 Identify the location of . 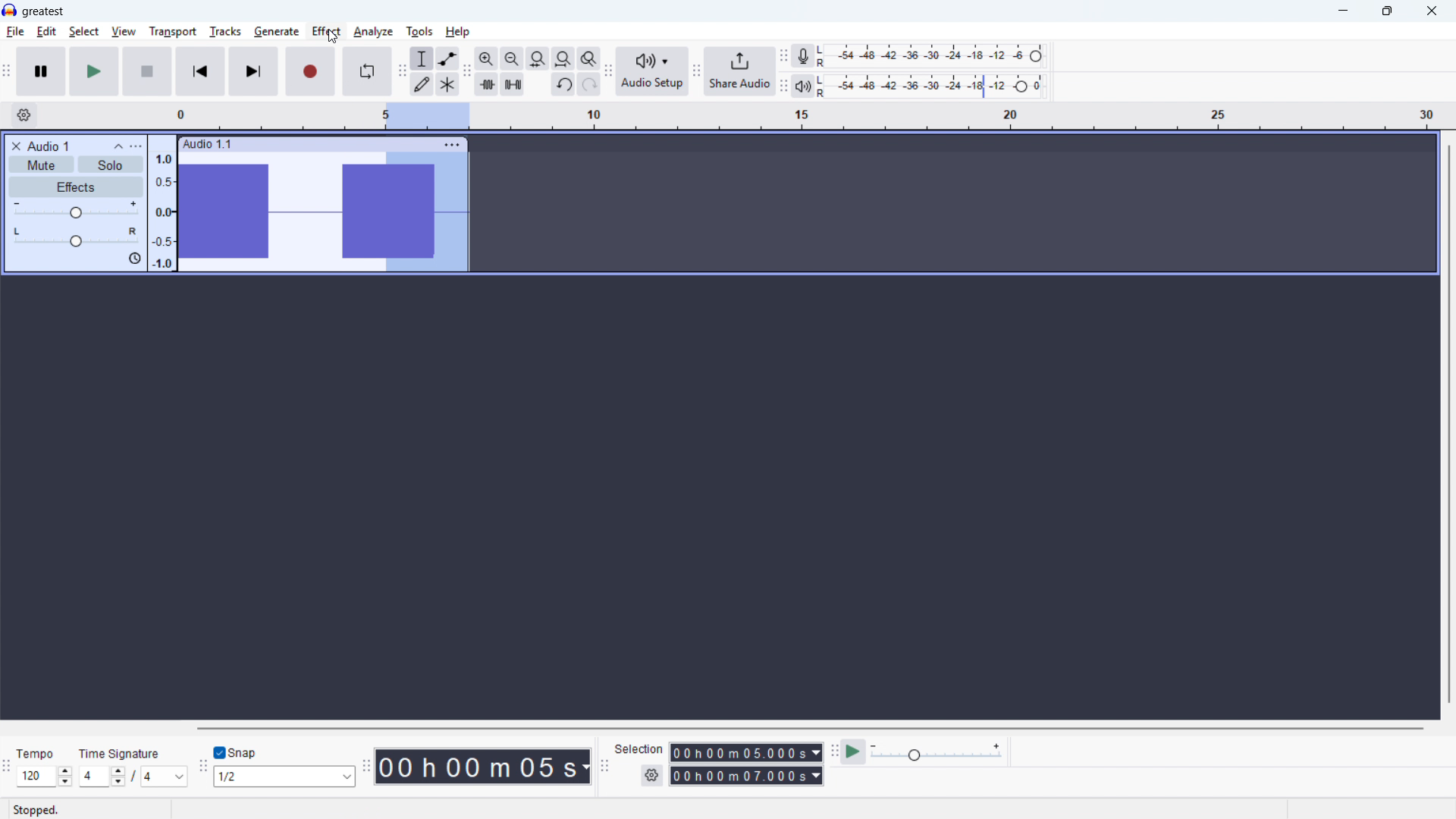
(119, 754).